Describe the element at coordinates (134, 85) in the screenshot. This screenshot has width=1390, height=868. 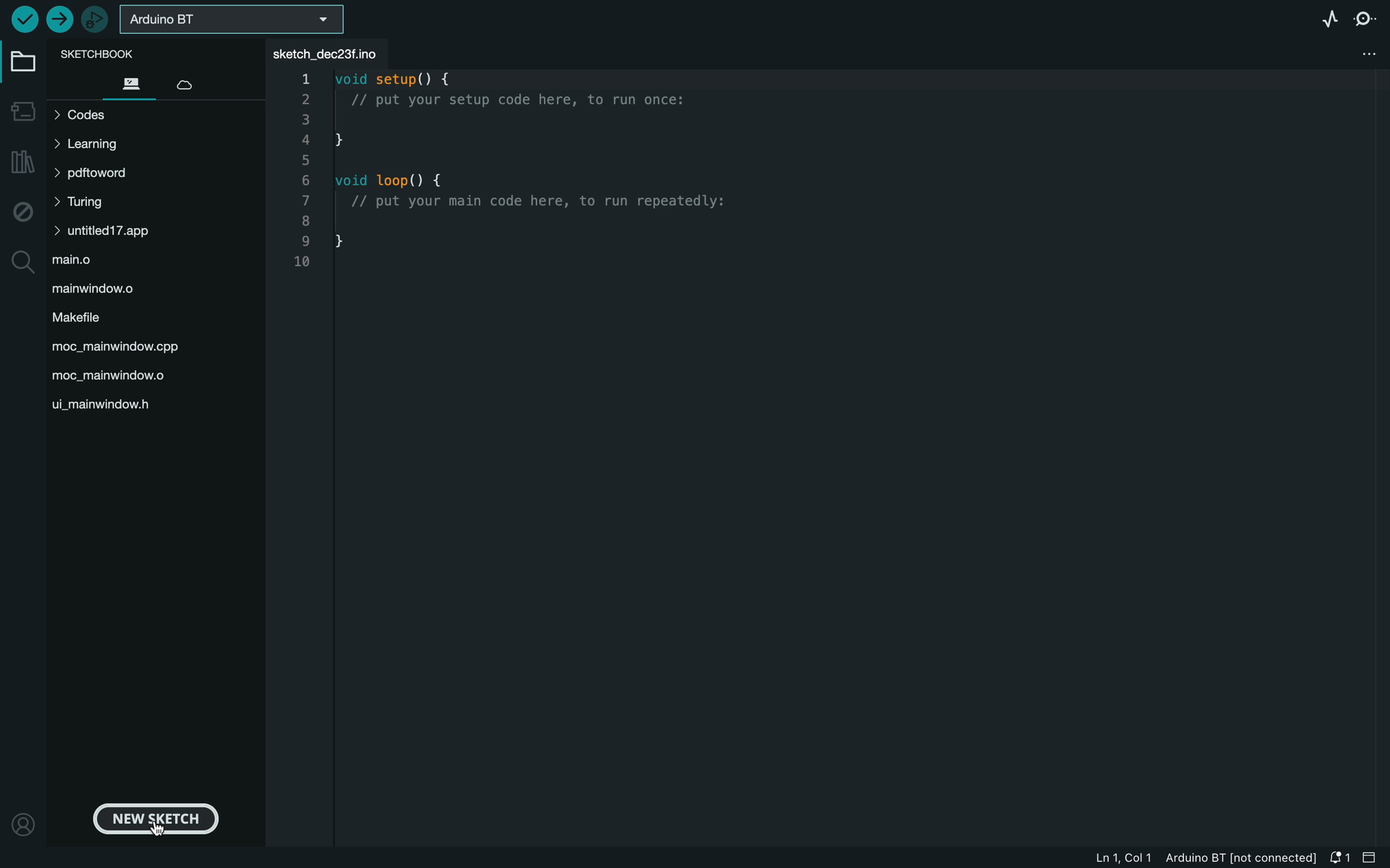
I see `folder` at that location.